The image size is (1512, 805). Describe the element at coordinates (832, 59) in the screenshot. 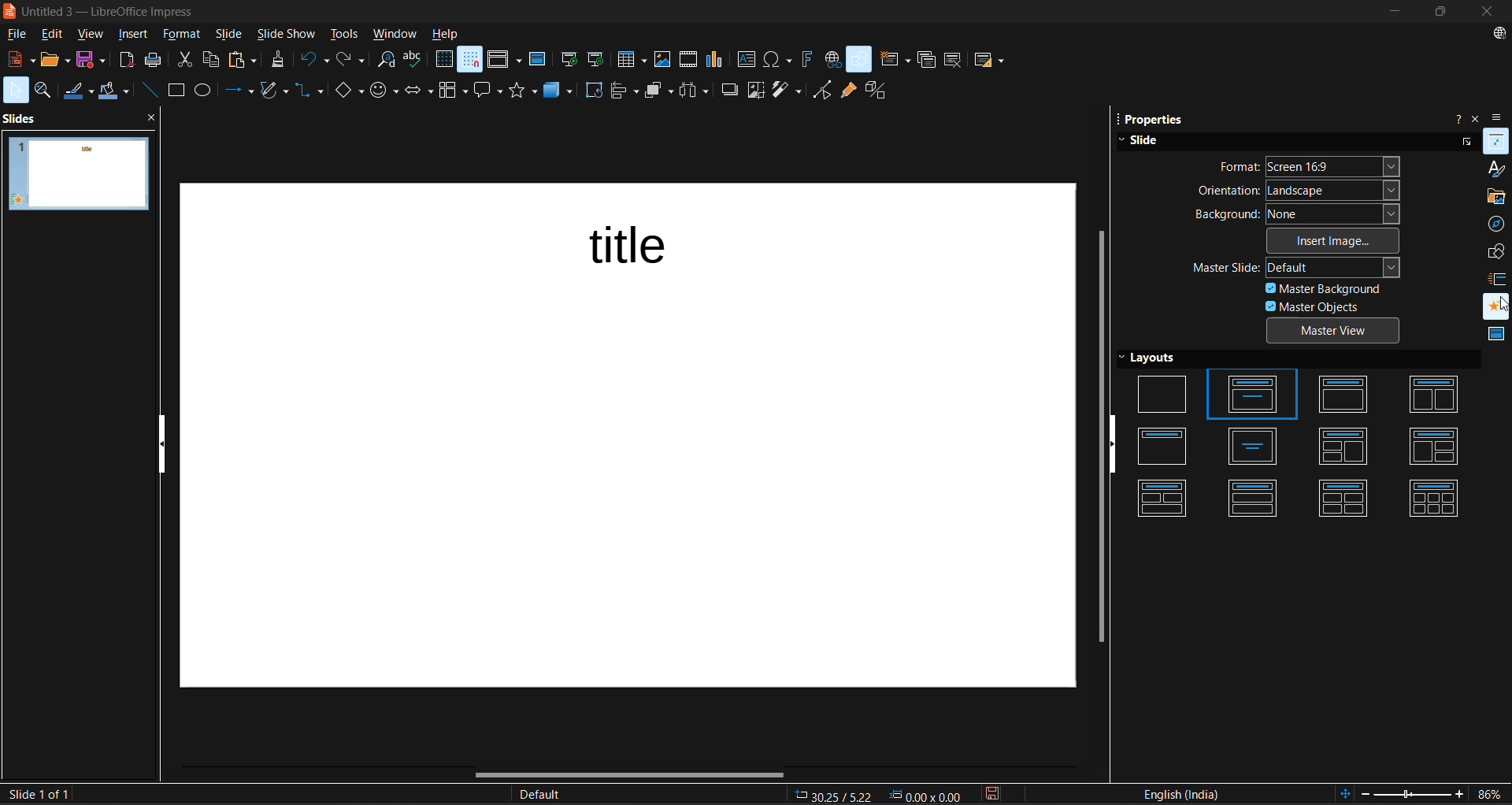

I see `insert hyperlink` at that location.